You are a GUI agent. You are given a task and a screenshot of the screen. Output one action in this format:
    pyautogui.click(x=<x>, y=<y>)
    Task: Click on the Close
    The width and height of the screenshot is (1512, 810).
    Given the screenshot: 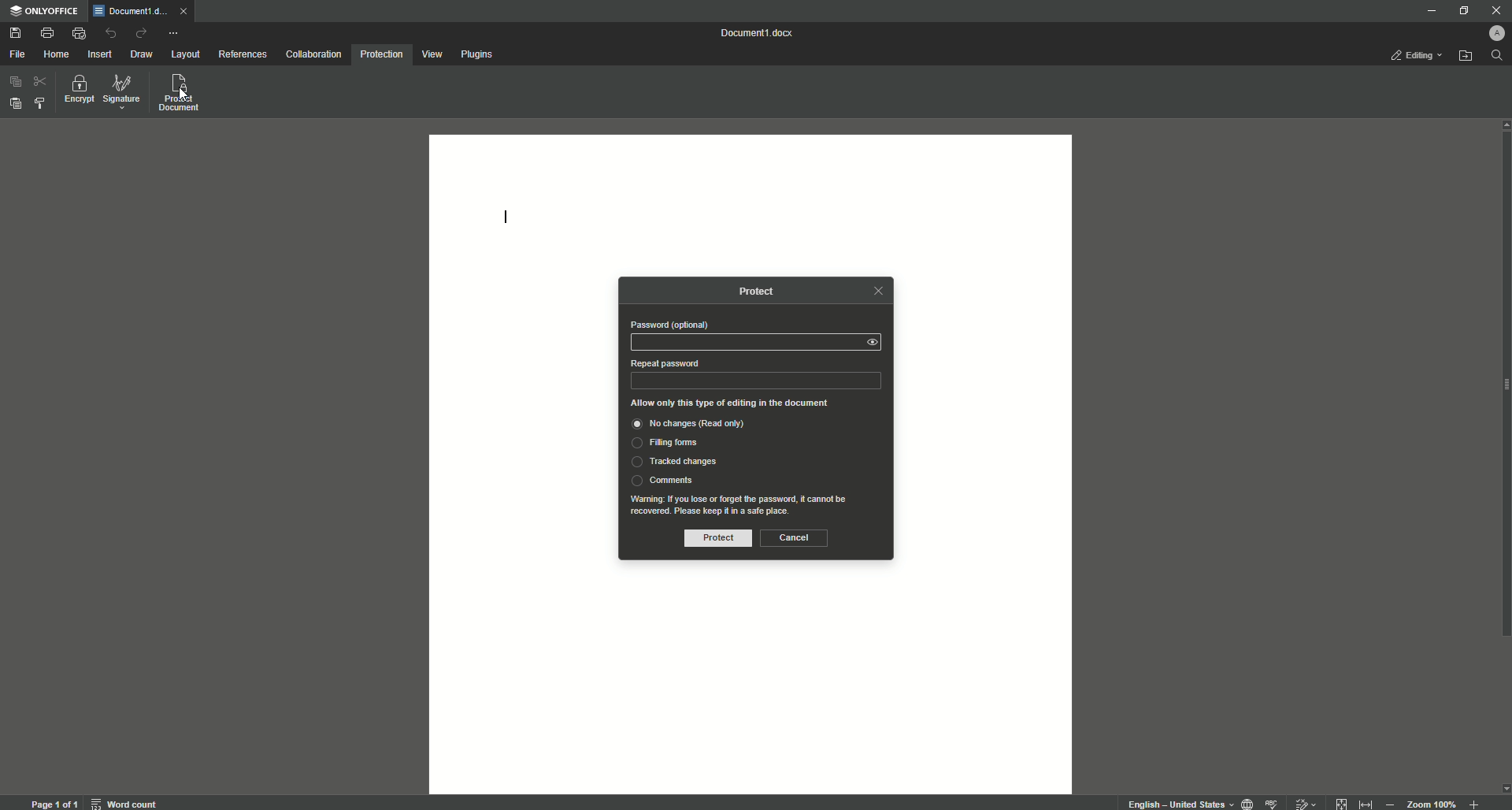 What is the action you would take?
    pyautogui.click(x=1495, y=9)
    